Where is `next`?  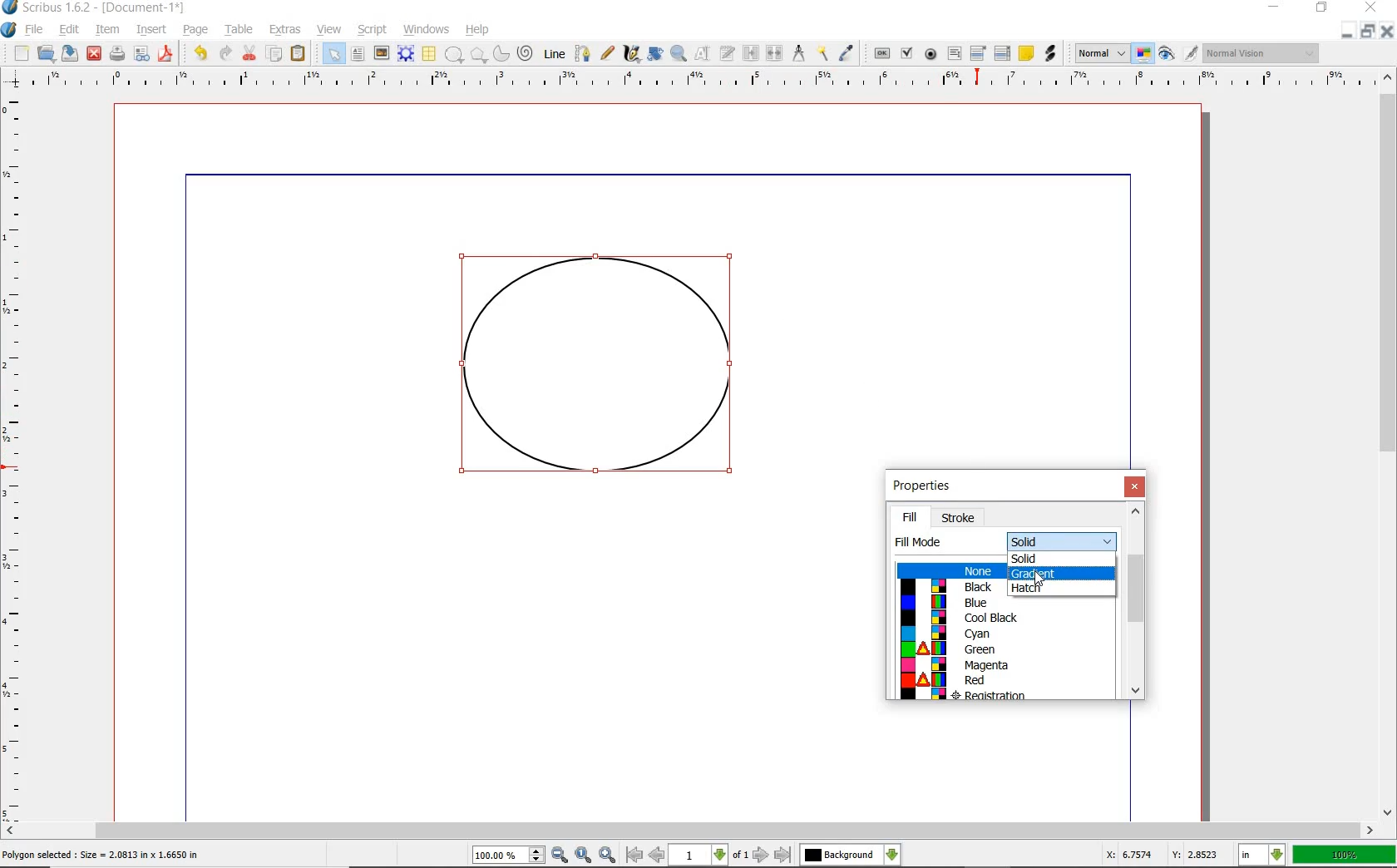 next is located at coordinates (761, 855).